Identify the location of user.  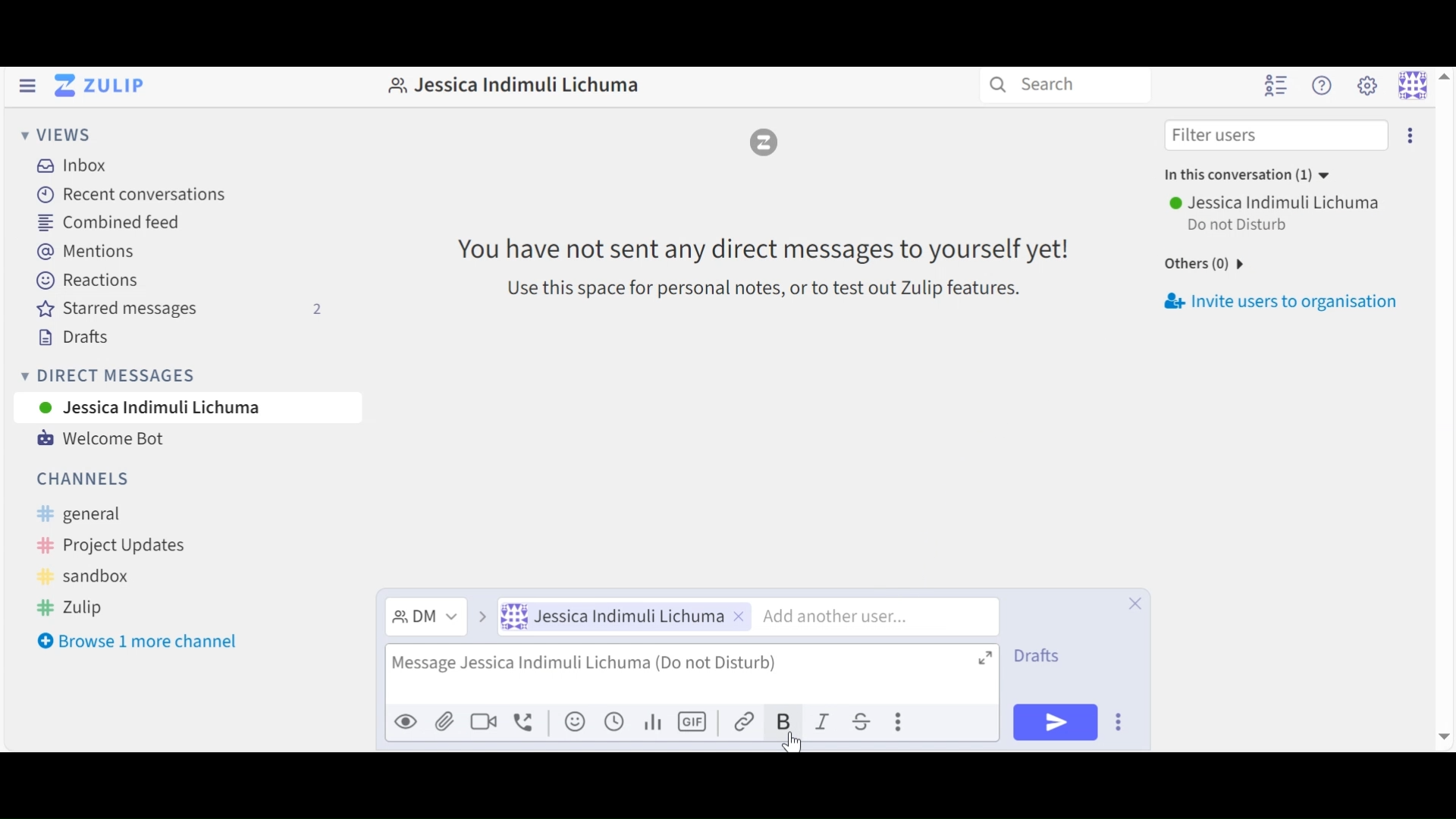
(1278, 202).